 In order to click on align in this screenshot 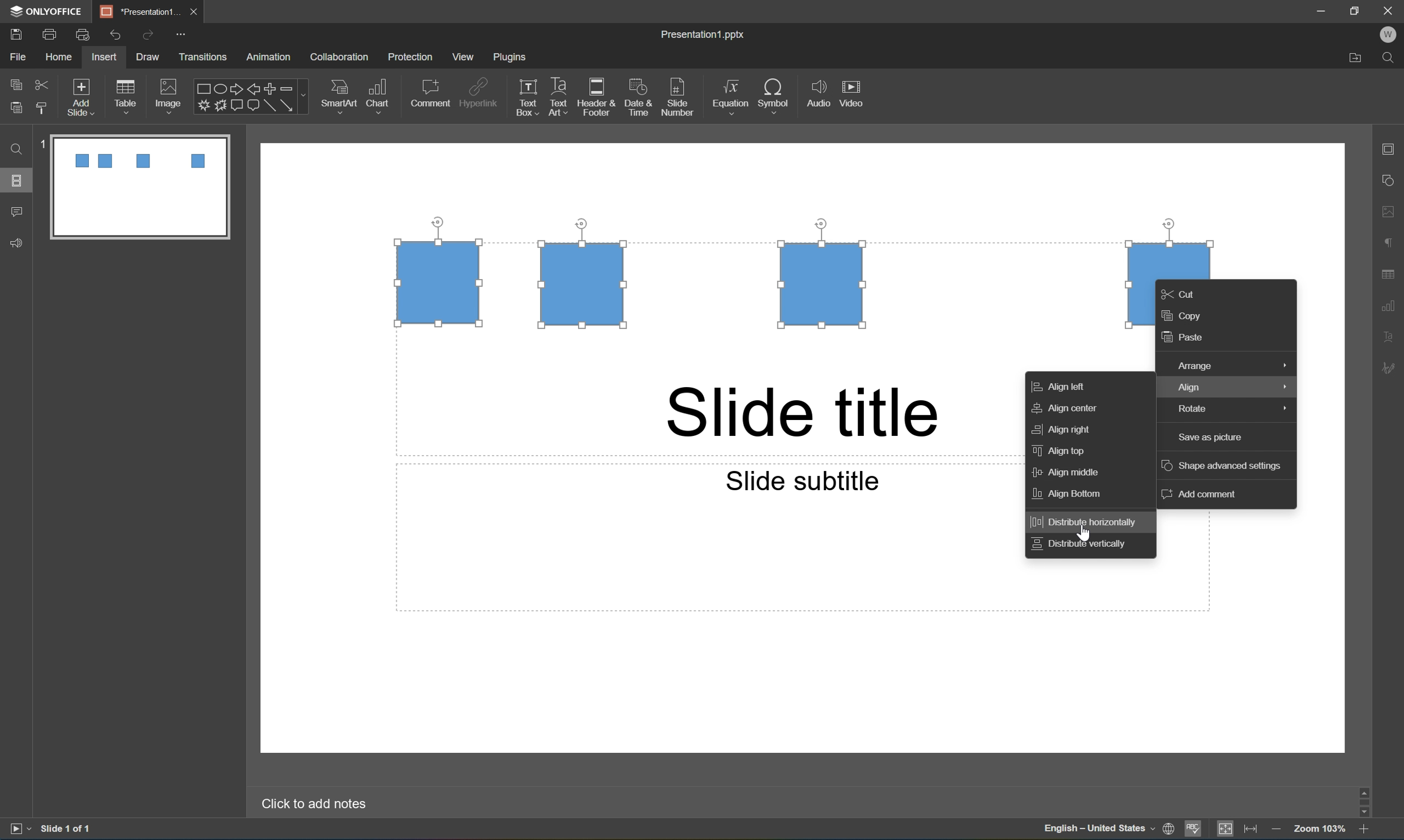, I will do `click(1225, 388)`.